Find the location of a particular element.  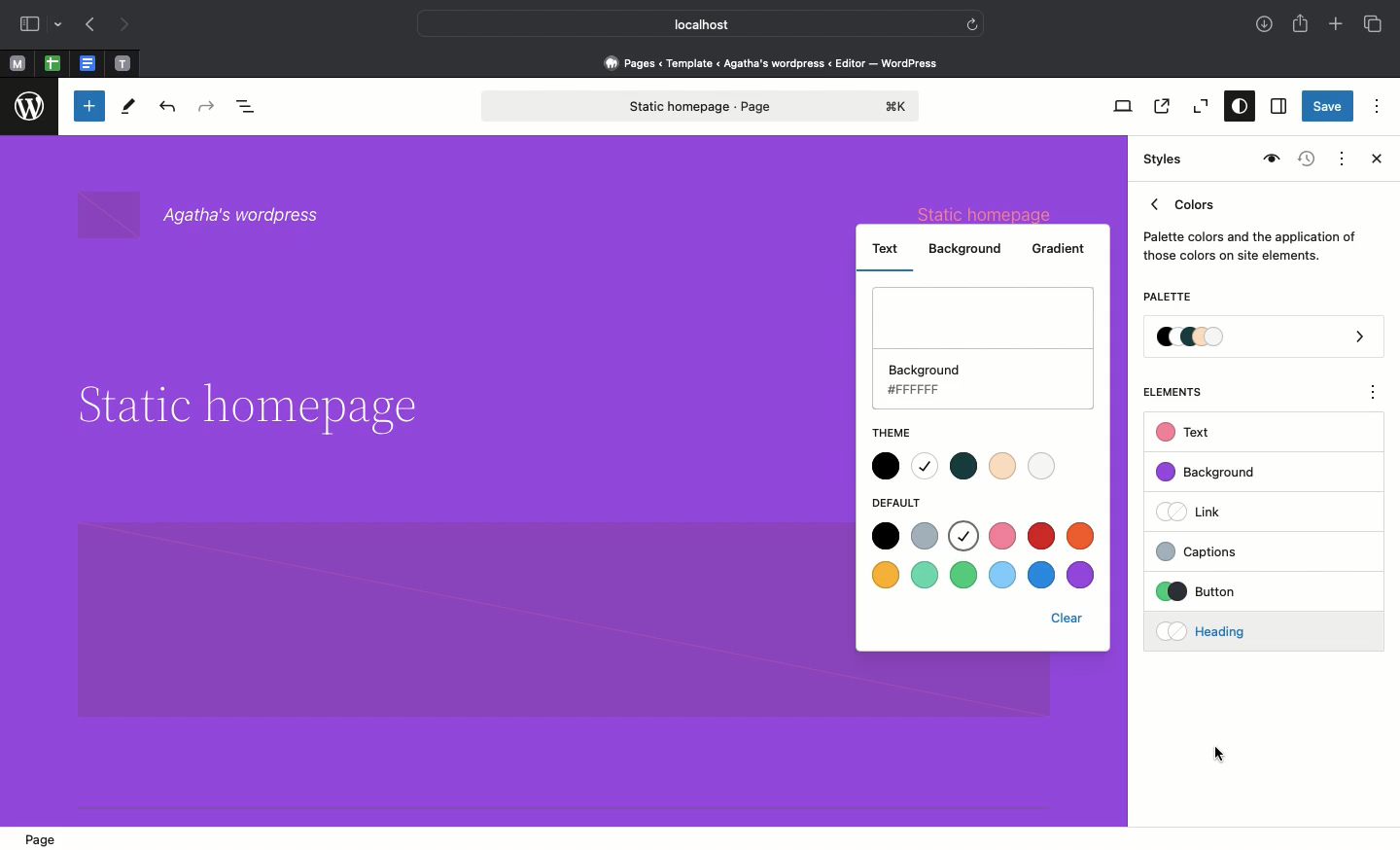

Tools is located at coordinates (129, 111).